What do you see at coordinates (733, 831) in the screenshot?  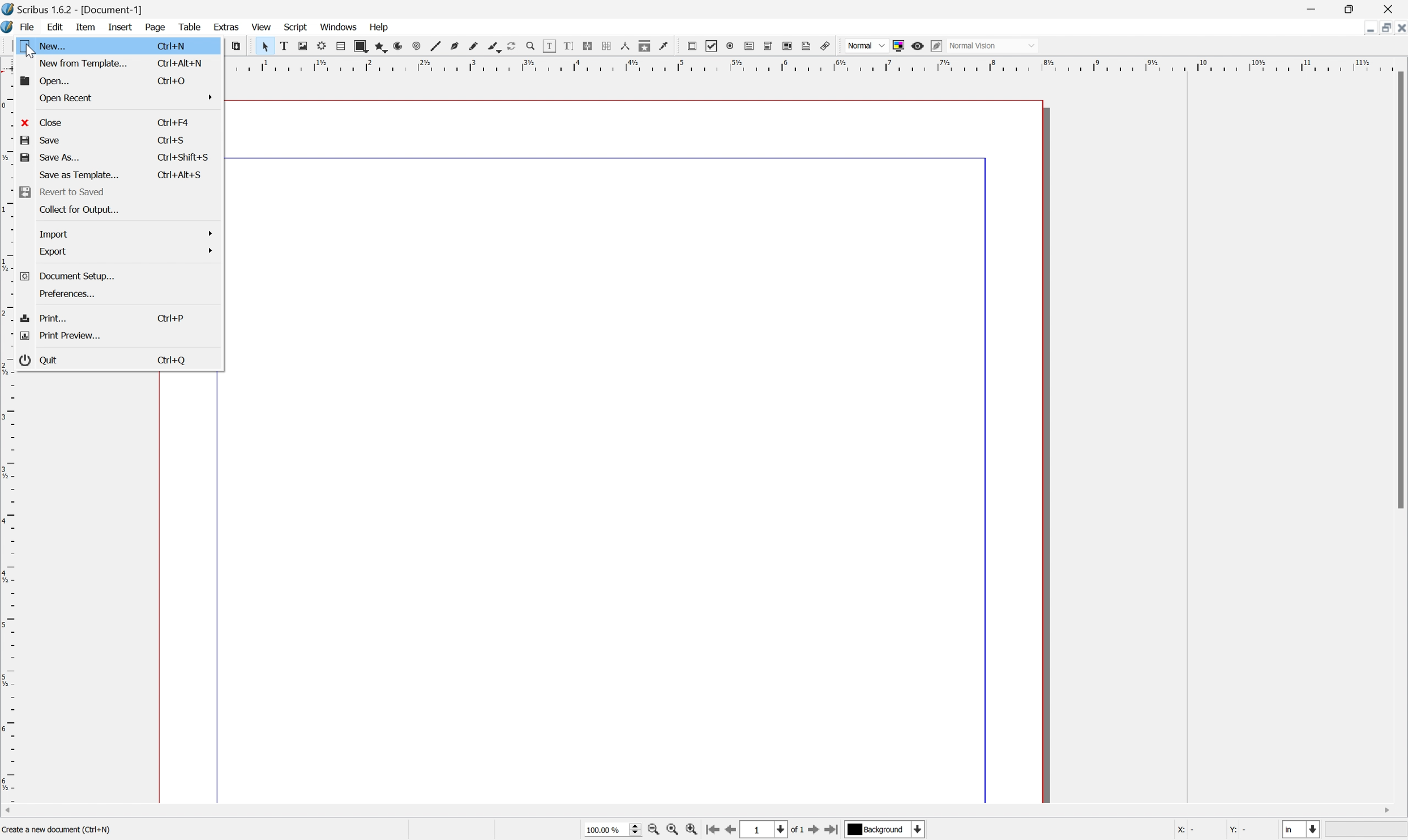 I see `go to previous page` at bounding box center [733, 831].